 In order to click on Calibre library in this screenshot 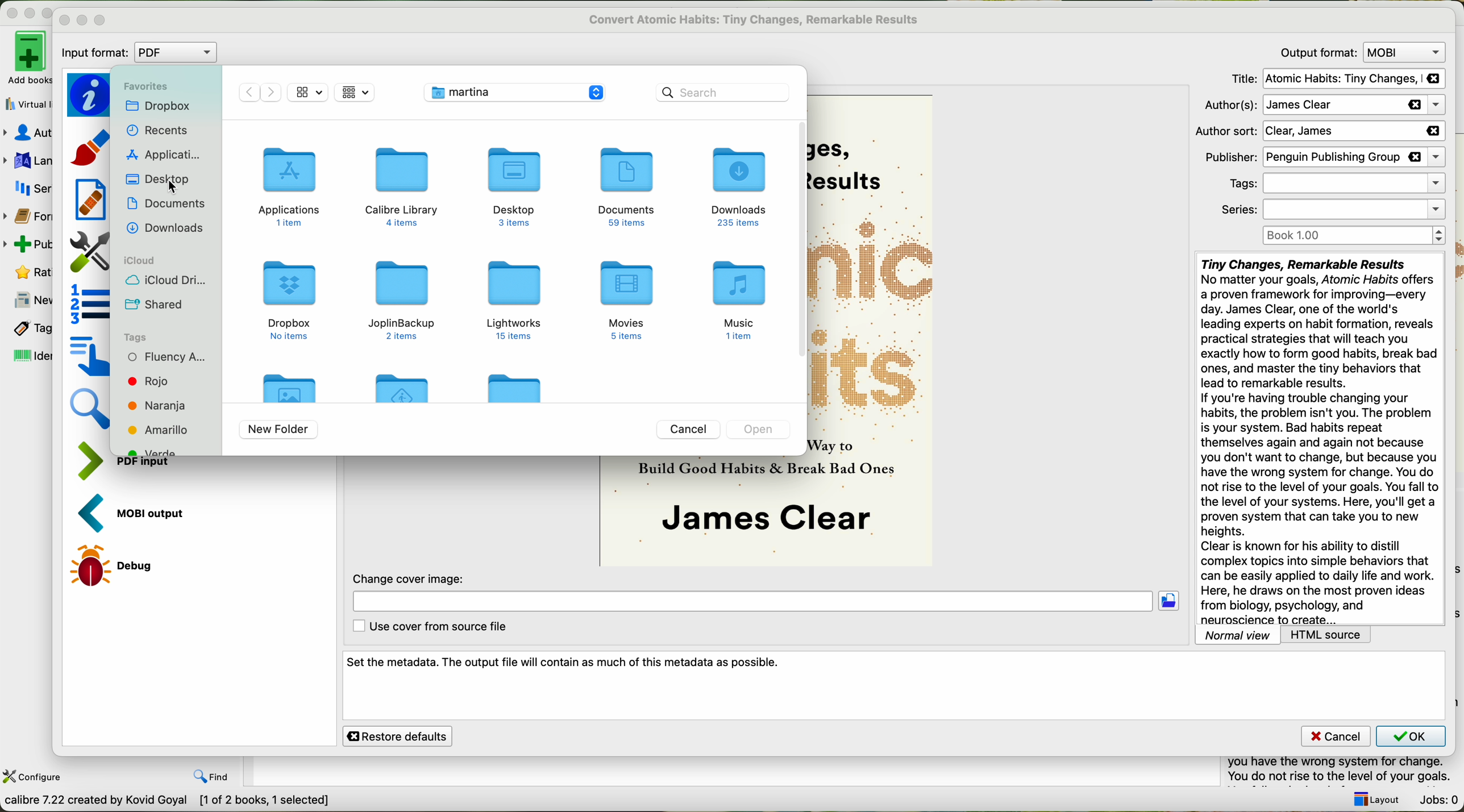, I will do `click(403, 187)`.